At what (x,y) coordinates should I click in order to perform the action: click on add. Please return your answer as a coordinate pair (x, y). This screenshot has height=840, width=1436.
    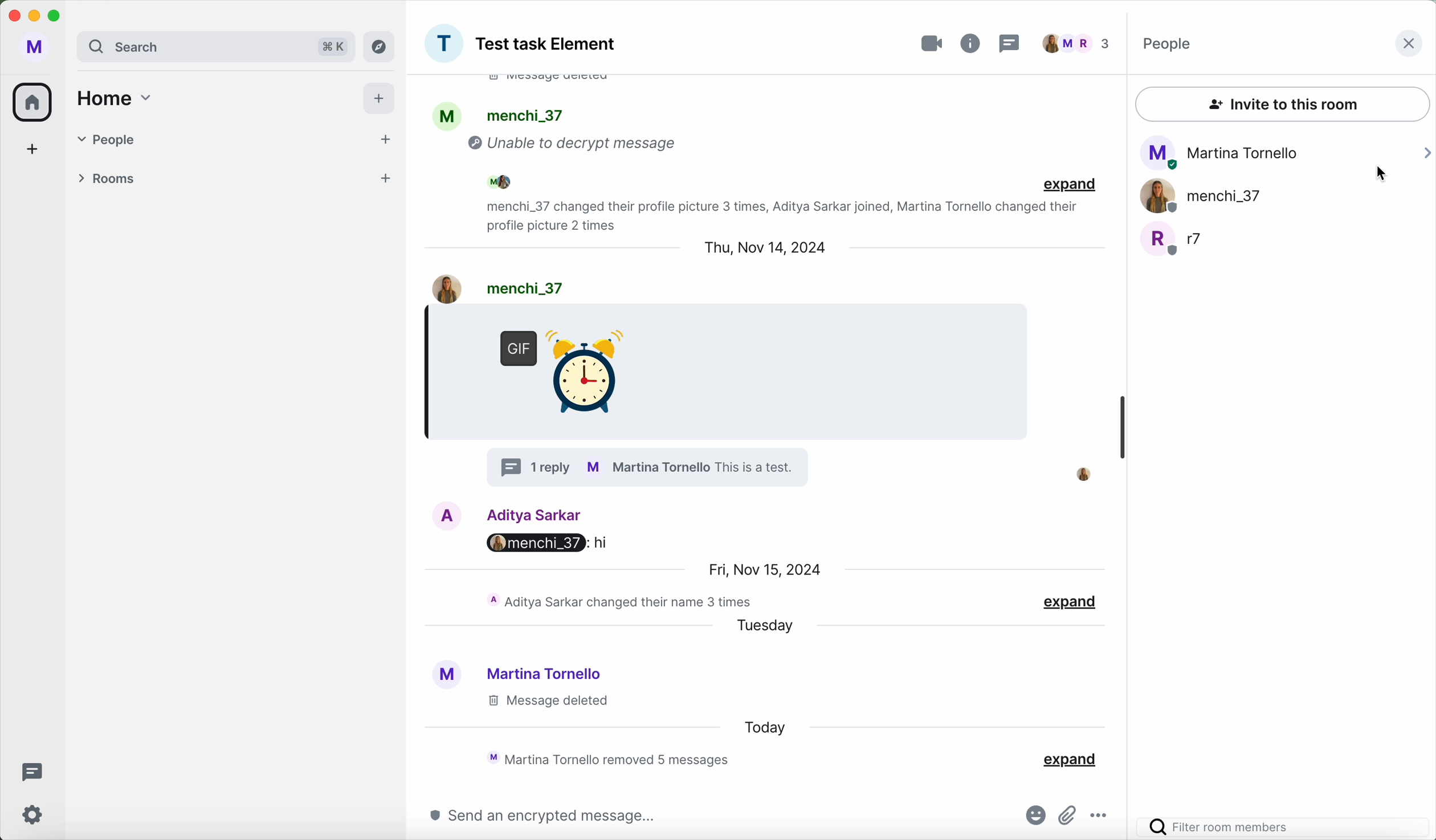
    Looking at the image, I should click on (32, 148).